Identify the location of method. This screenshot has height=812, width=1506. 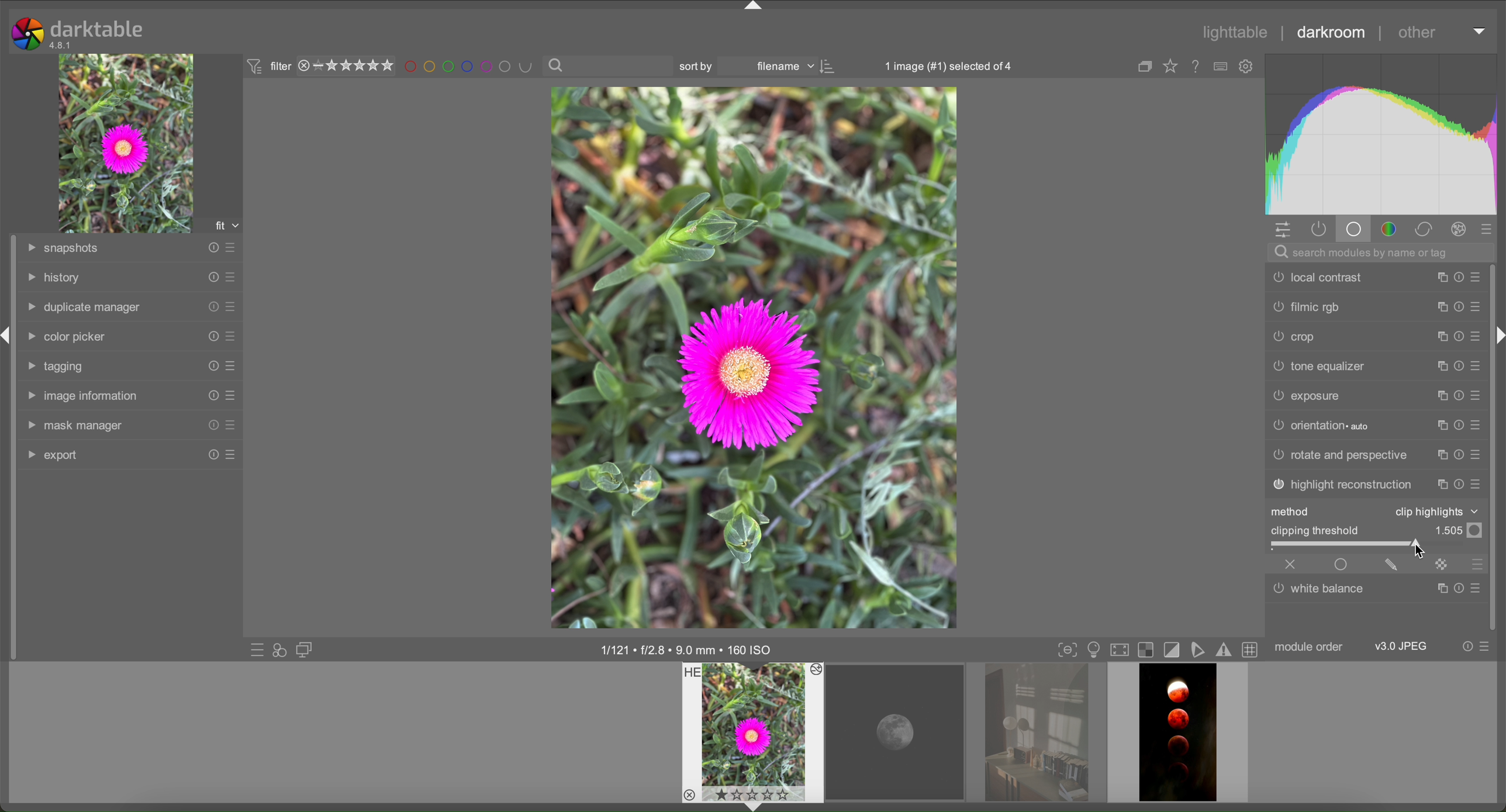
(1294, 512).